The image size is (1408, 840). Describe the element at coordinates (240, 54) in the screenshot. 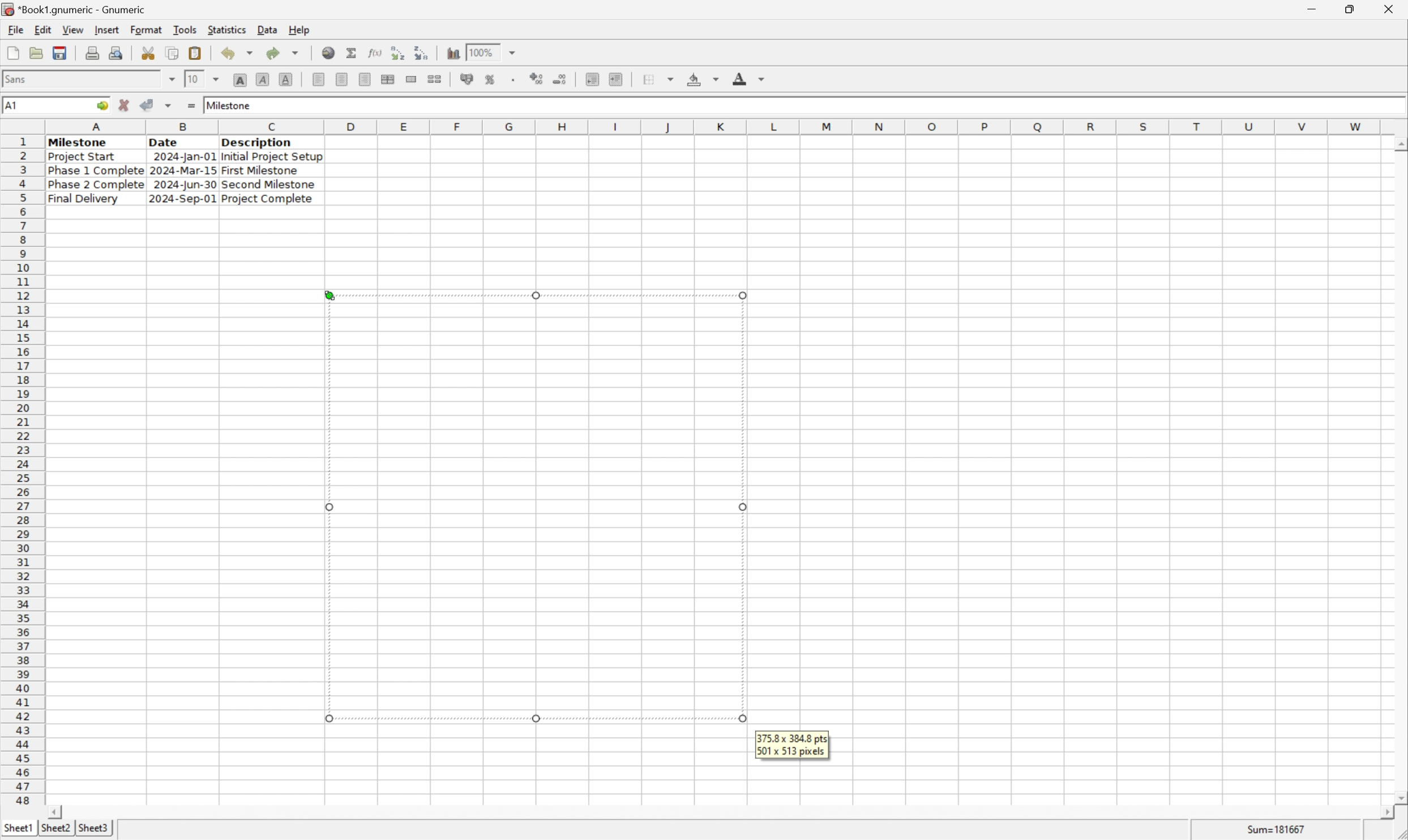

I see `undo` at that location.